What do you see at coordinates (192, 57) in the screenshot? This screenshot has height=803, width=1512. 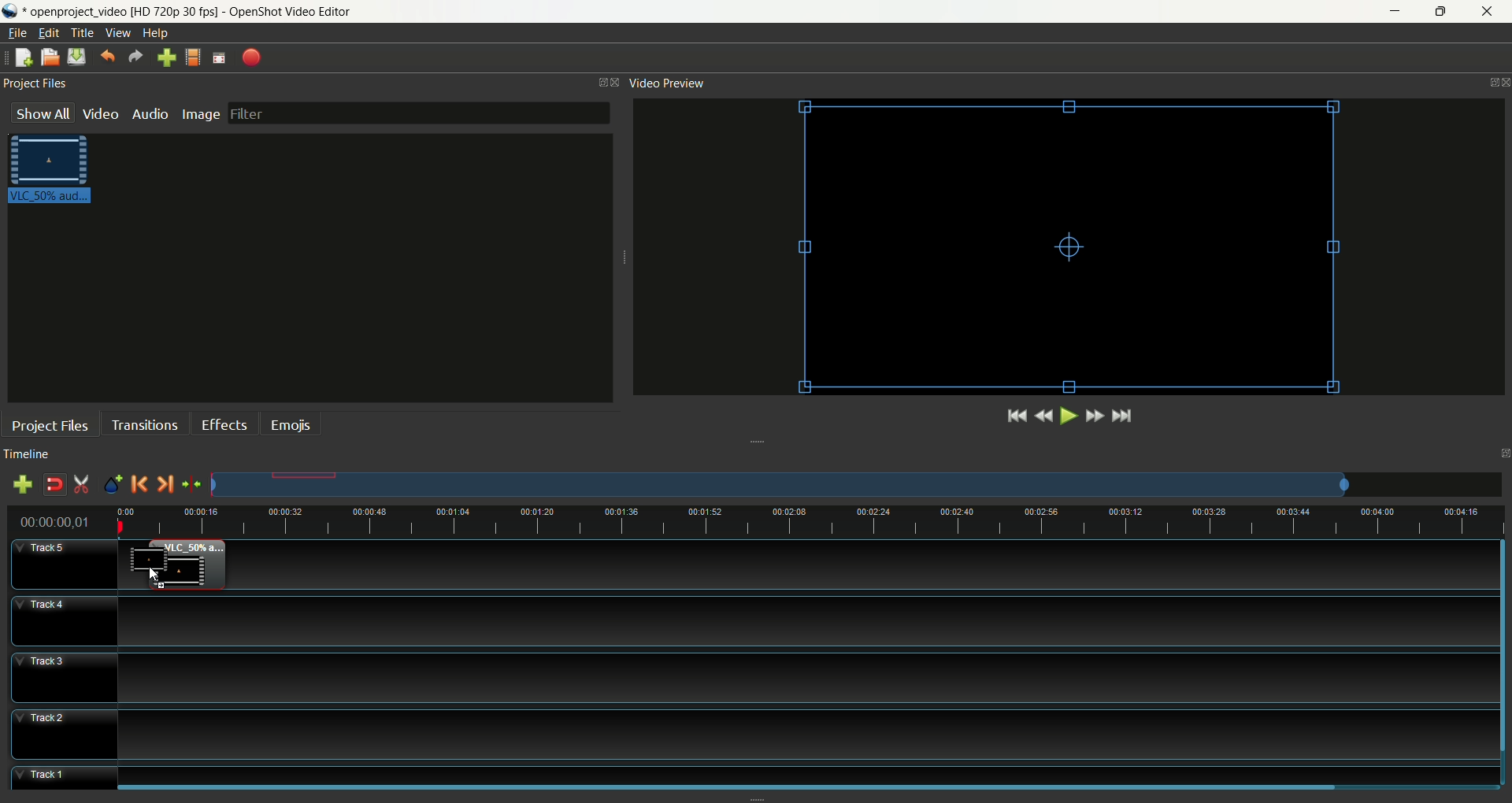 I see `choose profile` at bounding box center [192, 57].